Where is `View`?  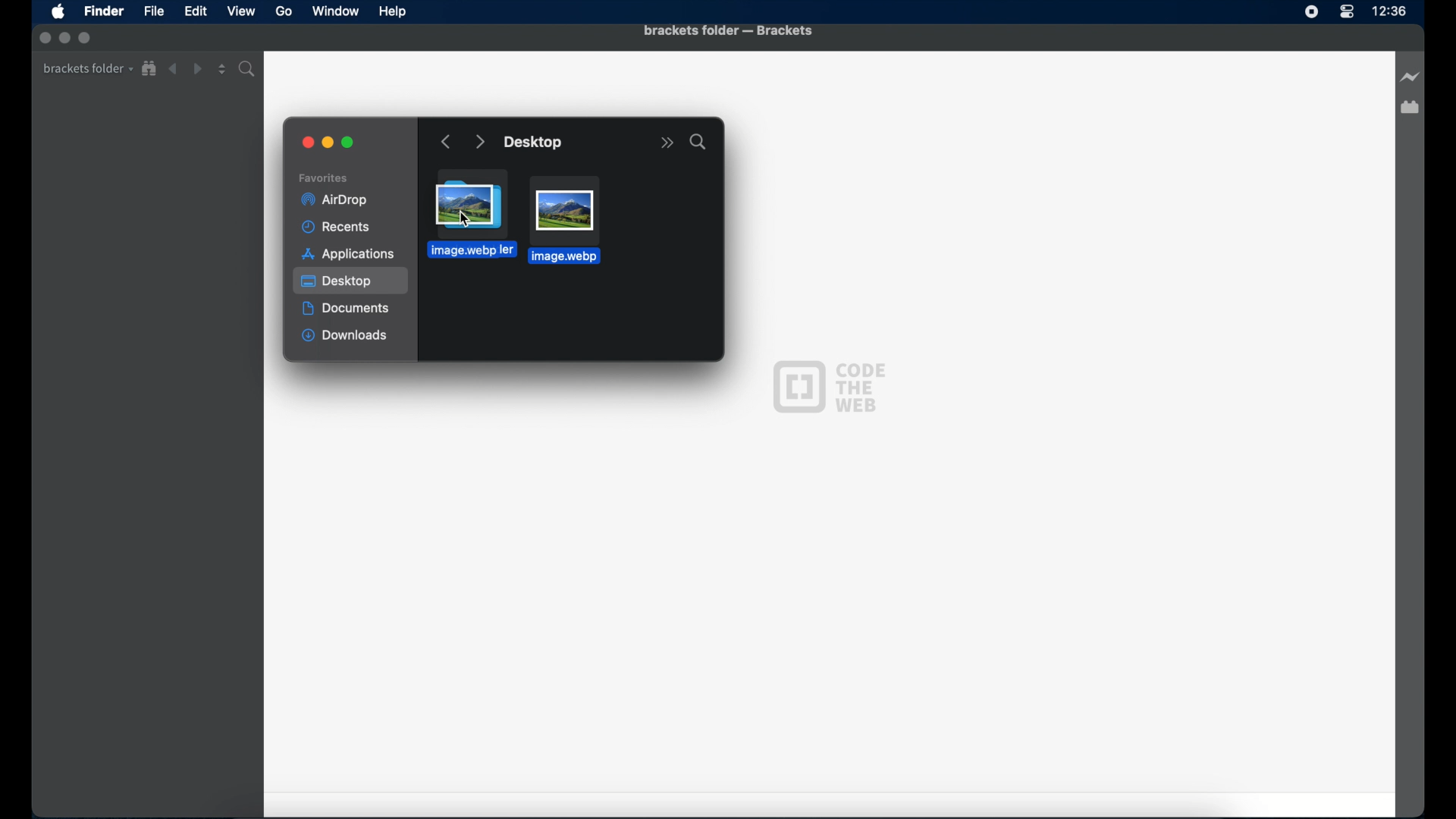 View is located at coordinates (241, 11).